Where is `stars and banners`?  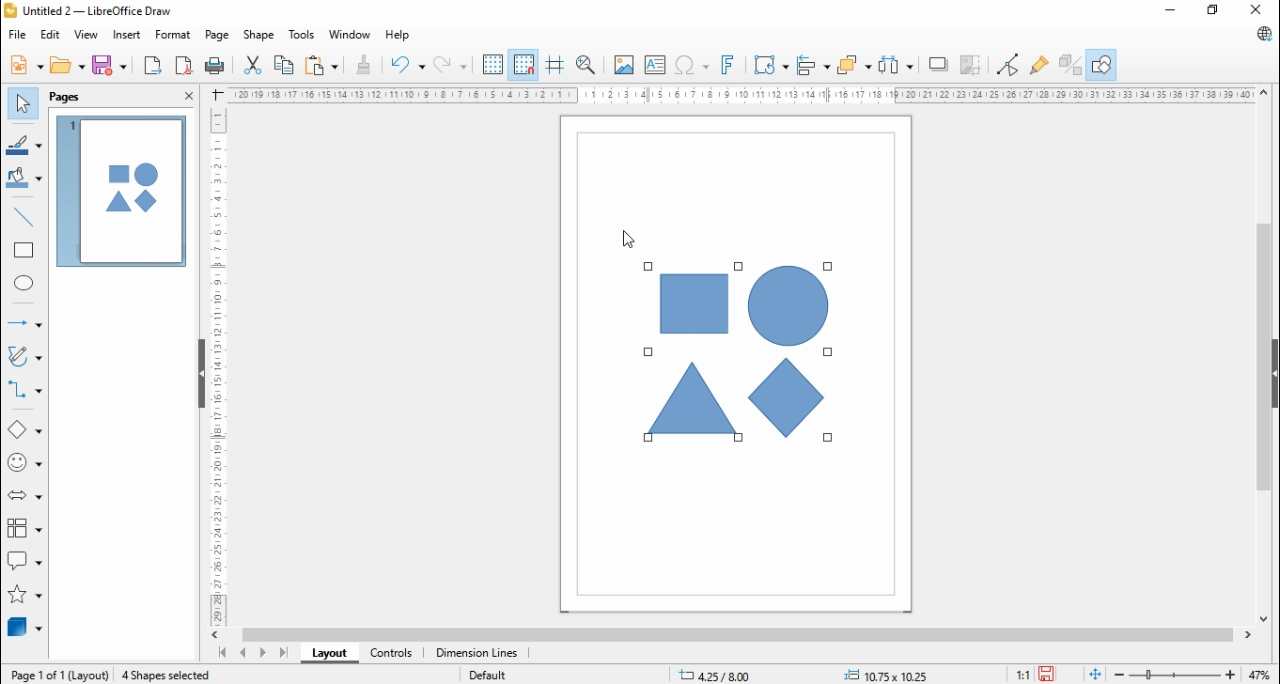 stars and banners is located at coordinates (26, 594).